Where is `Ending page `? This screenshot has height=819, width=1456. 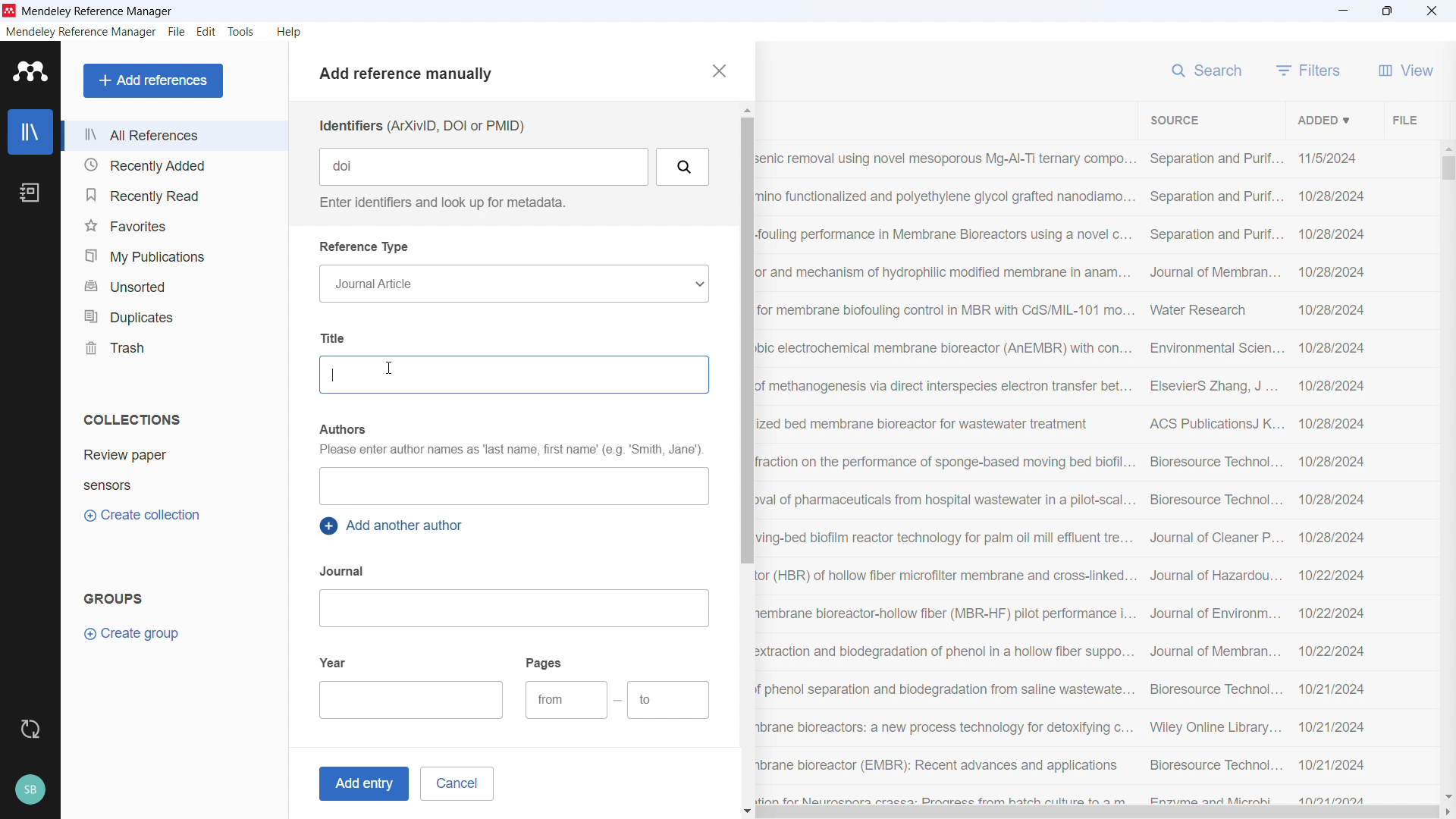
Ending page  is located at coordinates (669, 701).